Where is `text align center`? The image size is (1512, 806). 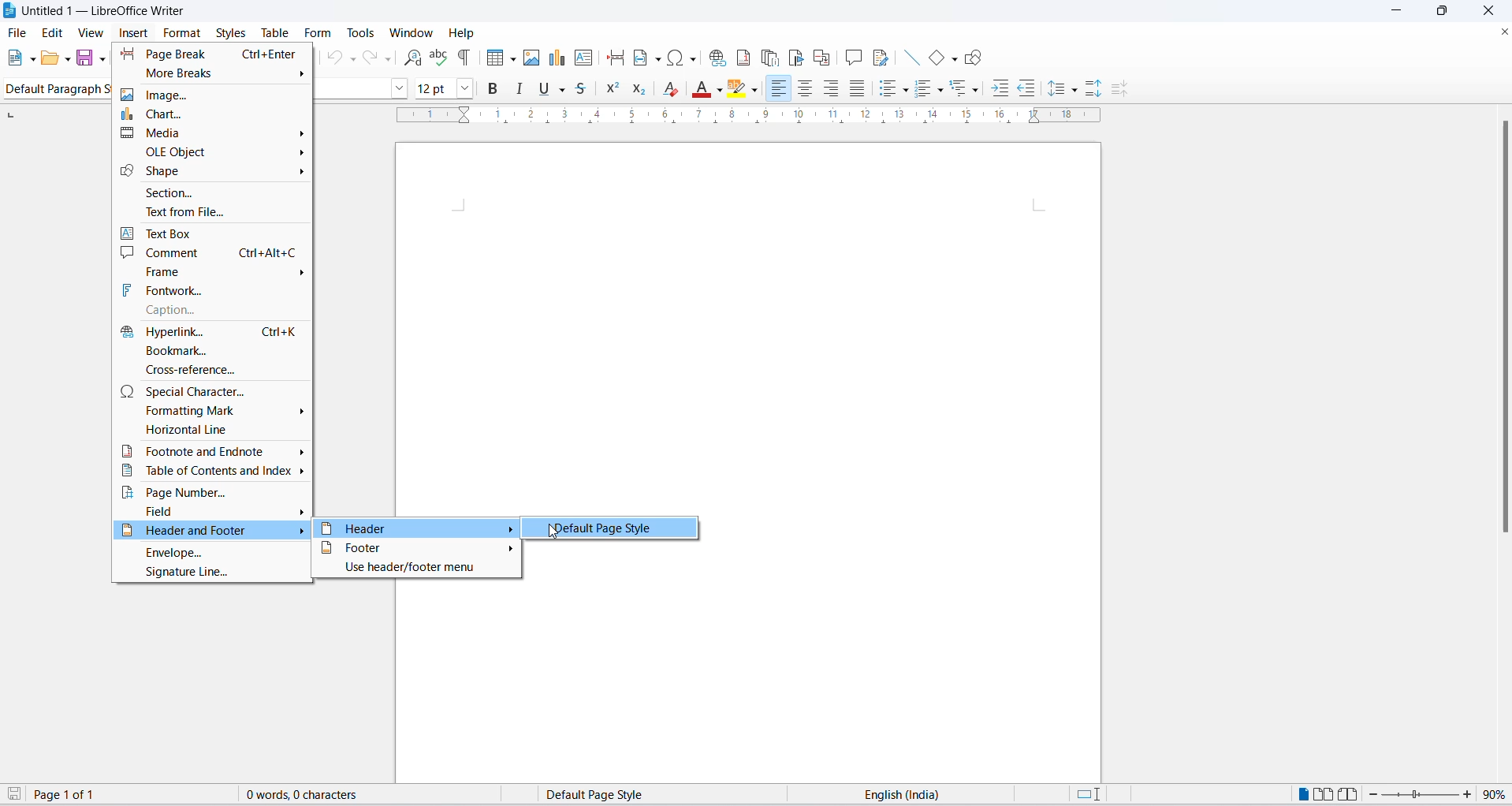 text align center is located at coordinates (809, 90).